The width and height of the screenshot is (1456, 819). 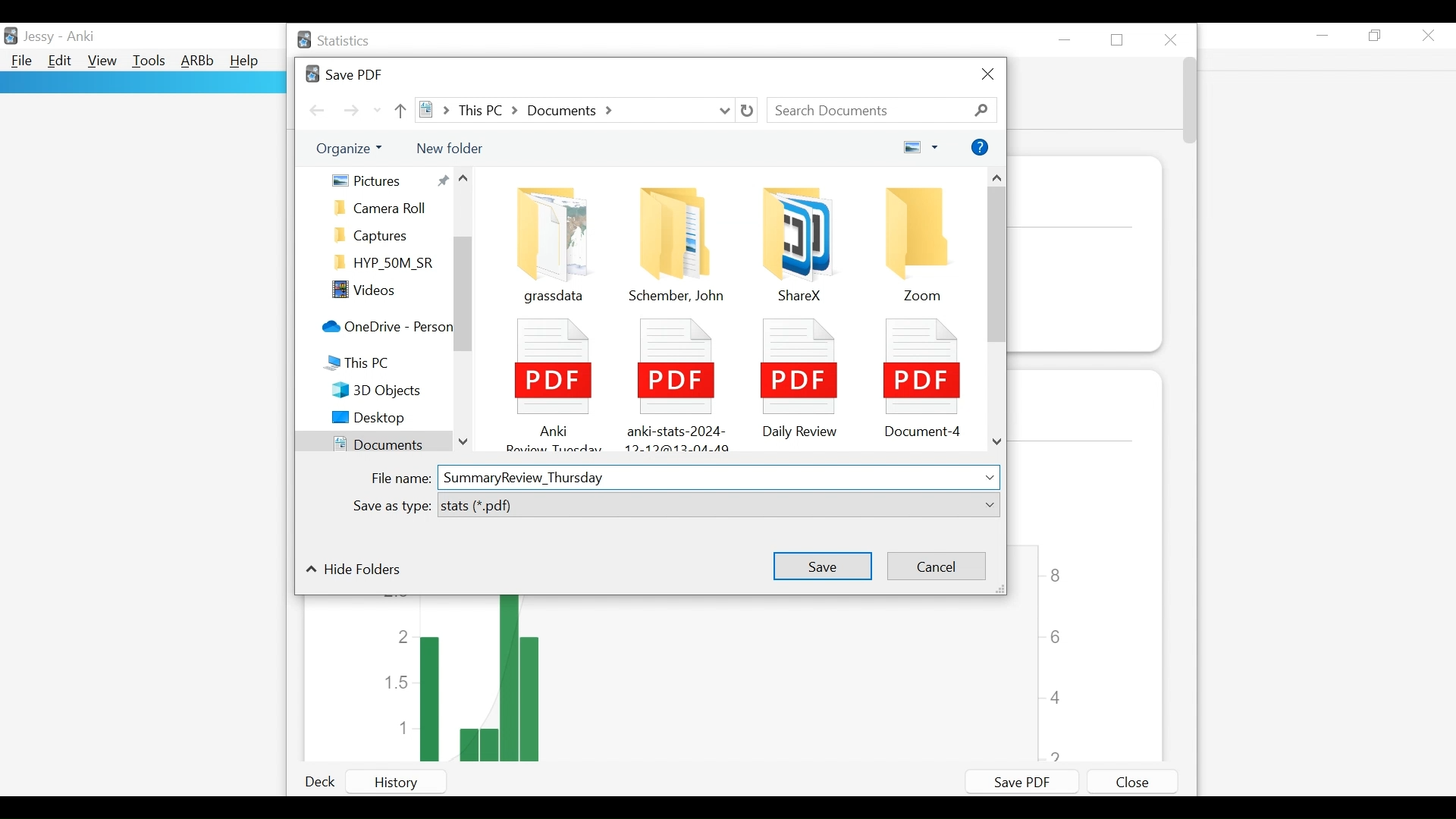 What do you see at coordinates (61, 62) in the screenshot?
I see `Edit` at bounding box center [61, 62].